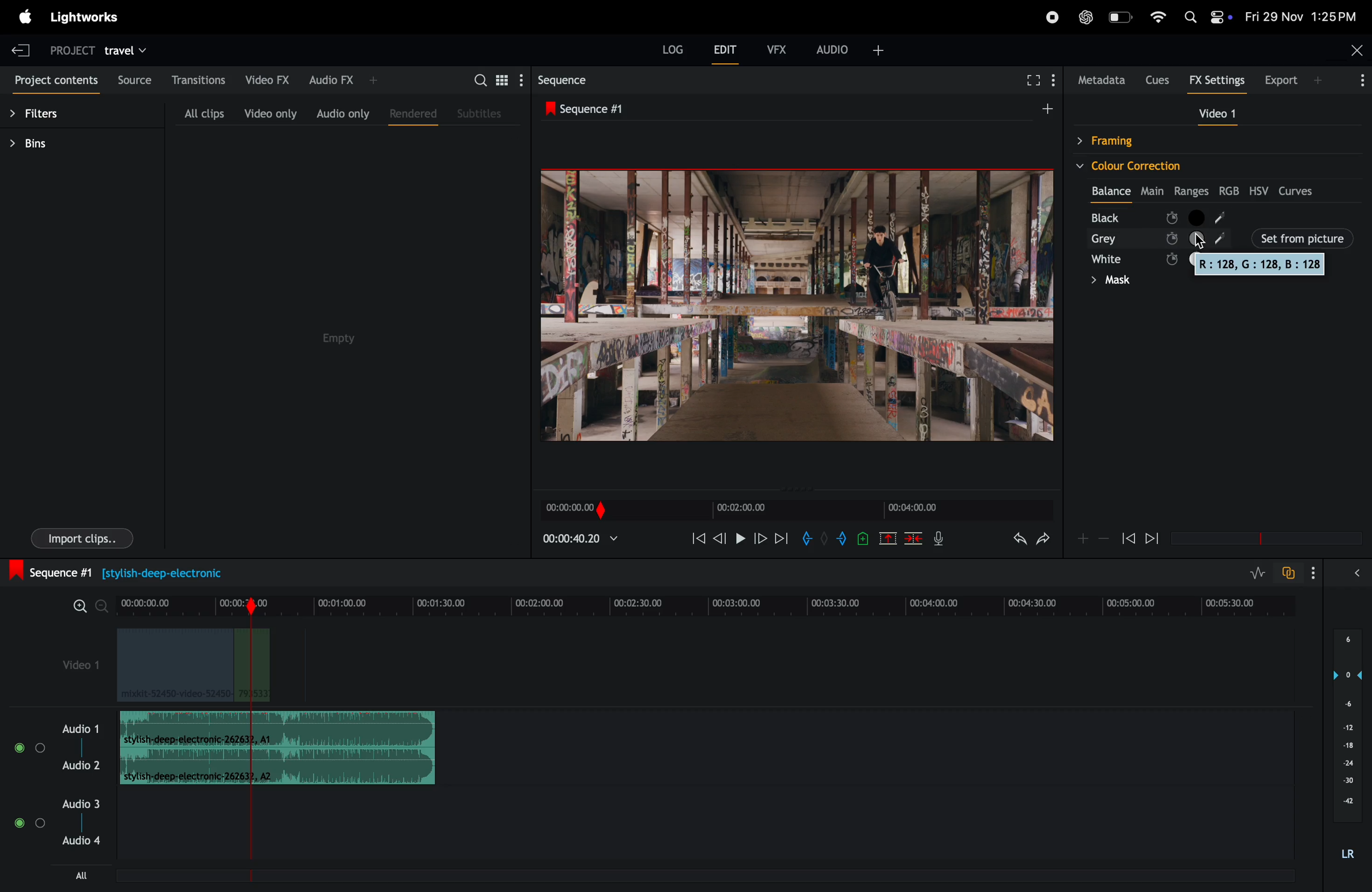  I want to click on sequence #1, so click(794, 107).